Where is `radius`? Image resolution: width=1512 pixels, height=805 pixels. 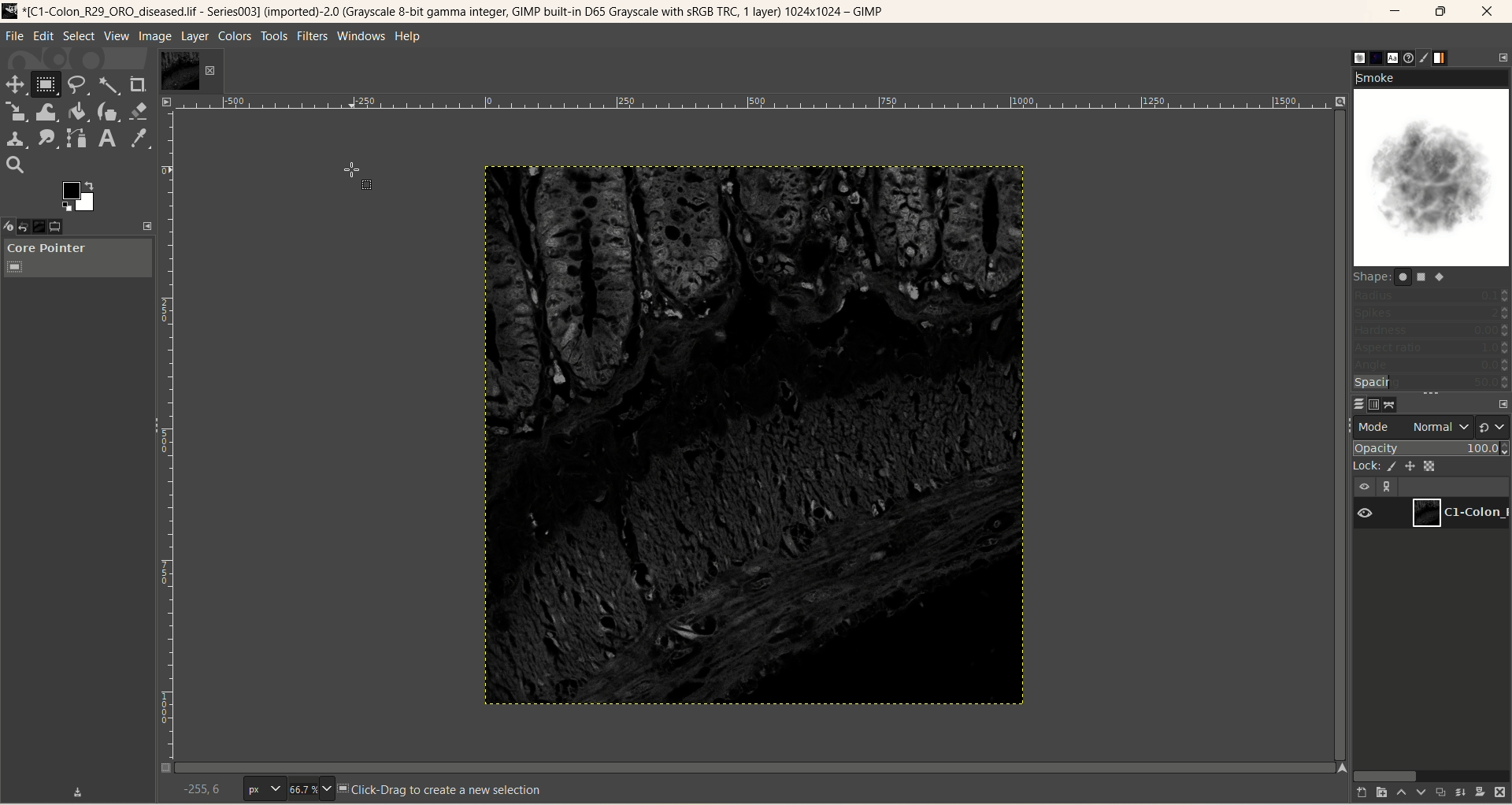 radius is located at coordinates (1429, 298).